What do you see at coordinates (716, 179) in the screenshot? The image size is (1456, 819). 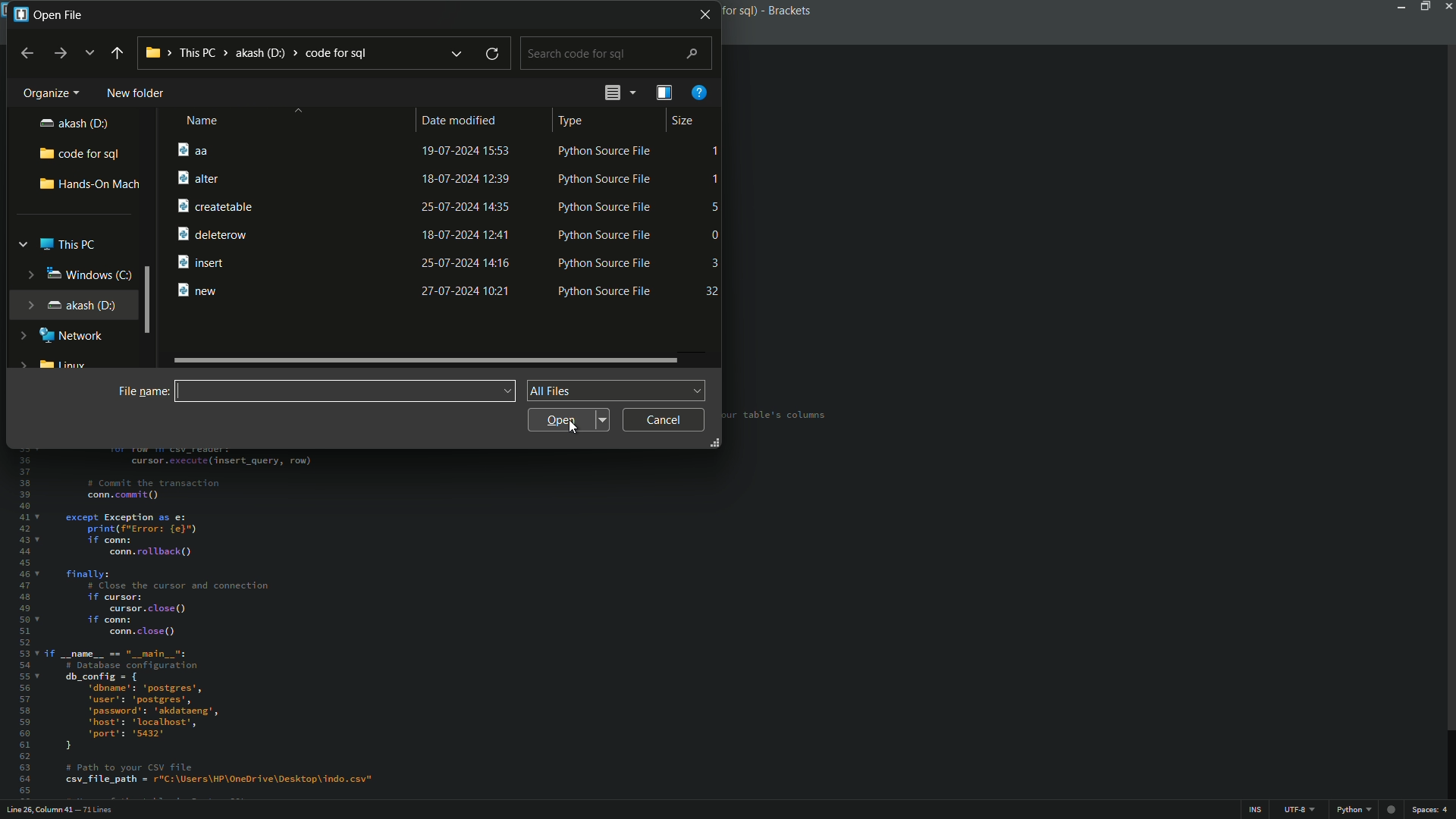 I see `1` at bounding box center [716, 179].